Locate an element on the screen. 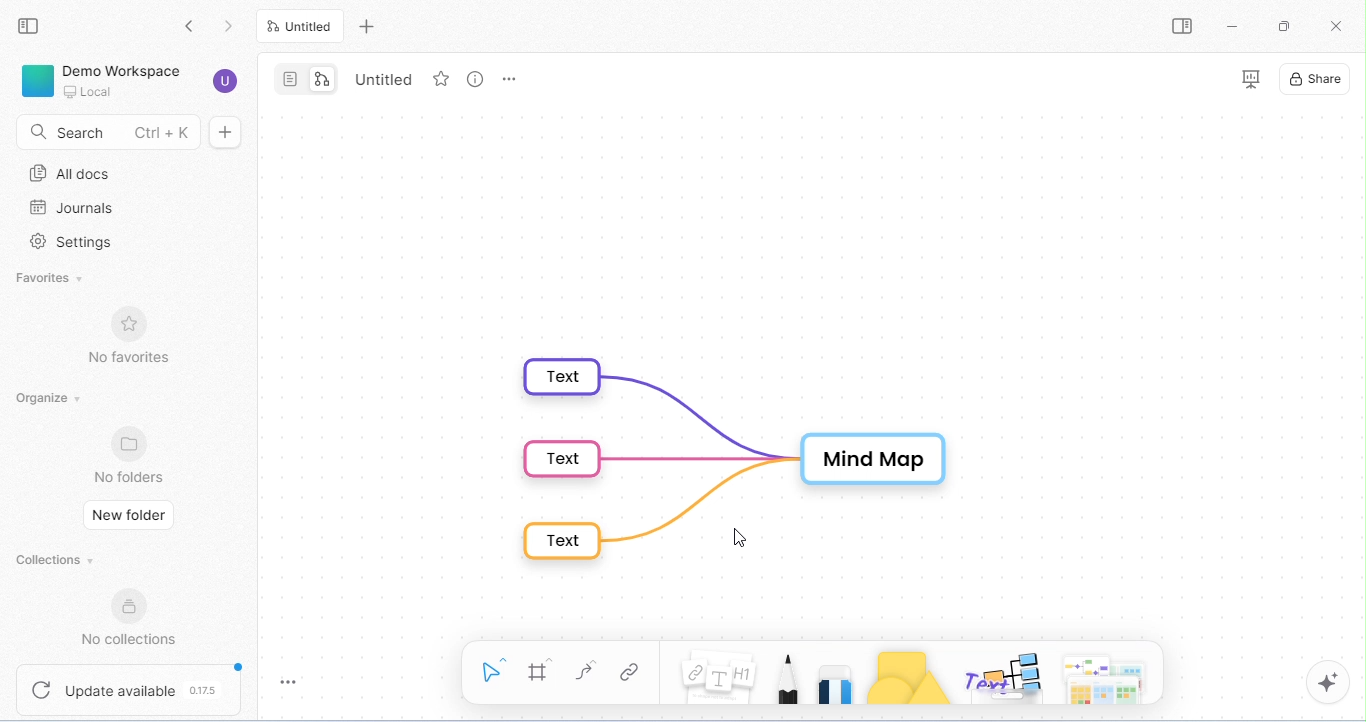 The width and height of the screenshot is (1366, 722). page mode is located at coordinates (289, 79).